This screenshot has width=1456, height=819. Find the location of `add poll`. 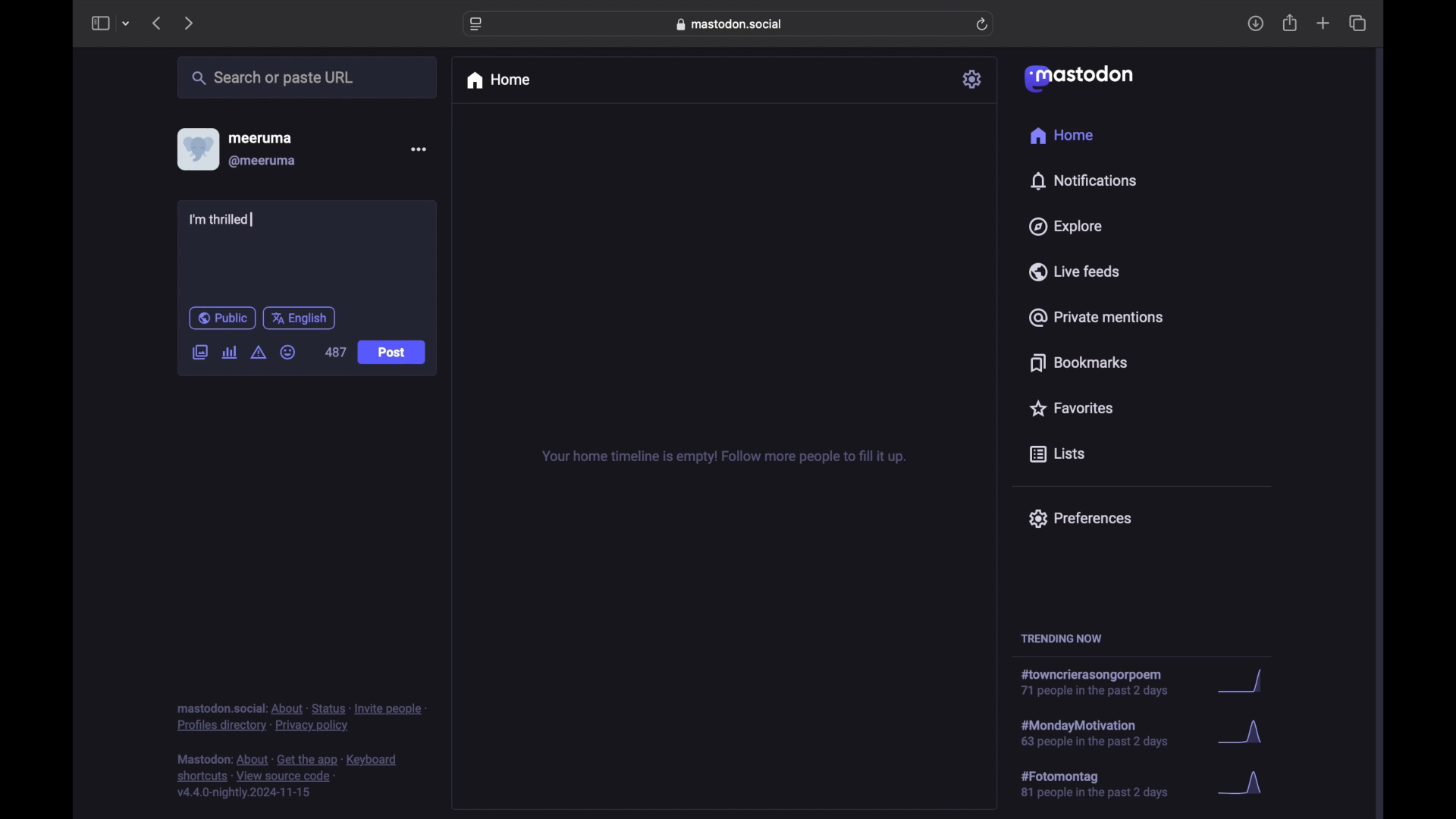

add poll is located at coordinates (231, 353).